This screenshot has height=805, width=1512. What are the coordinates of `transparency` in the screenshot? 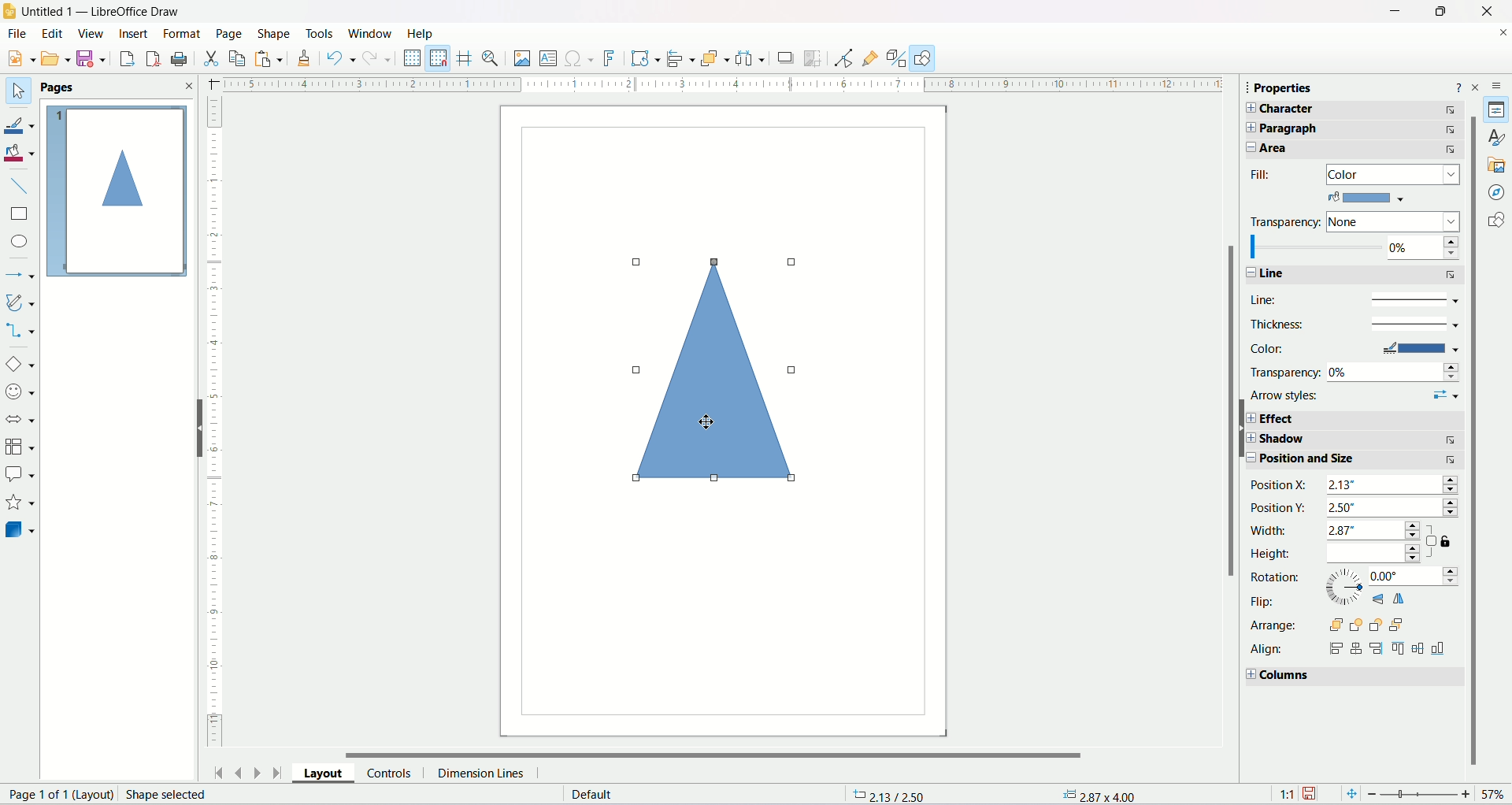 It's located at (1351, 223).